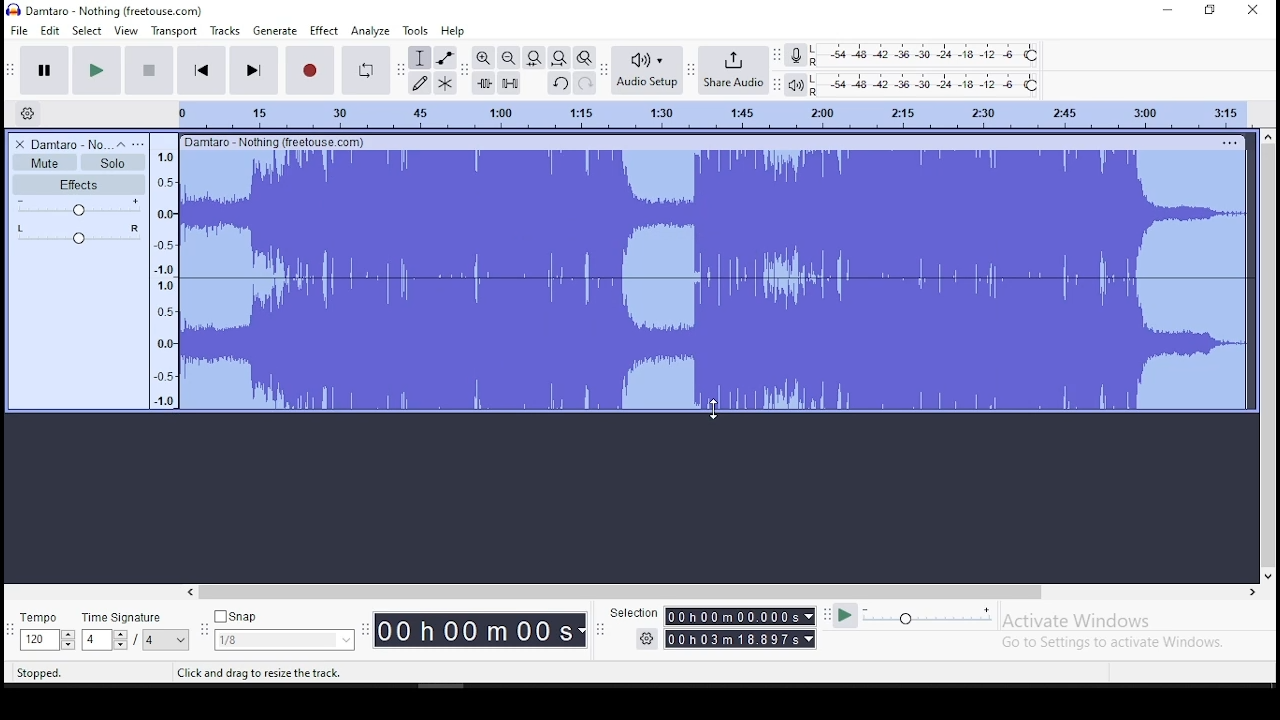 The width and height of the screenshot is (1280, 720). What do you see at coordinates (178, 640) in the screenshot?
I see `Drop down` at bounding box center [178, 640].